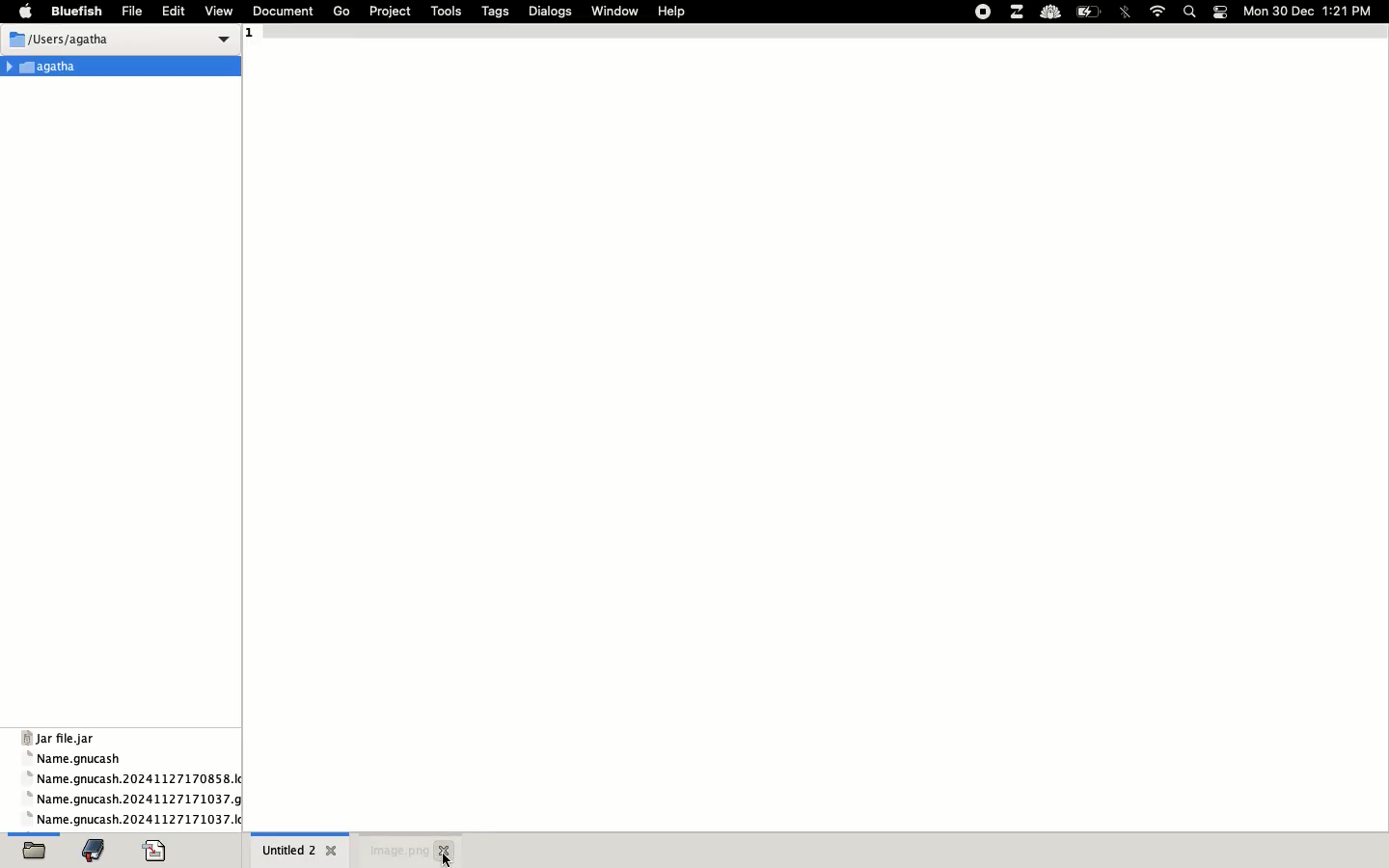  What do you see at coordinates (1158, 12) in the screenshot?
I see `internet` at bounding box center [1158, 12].